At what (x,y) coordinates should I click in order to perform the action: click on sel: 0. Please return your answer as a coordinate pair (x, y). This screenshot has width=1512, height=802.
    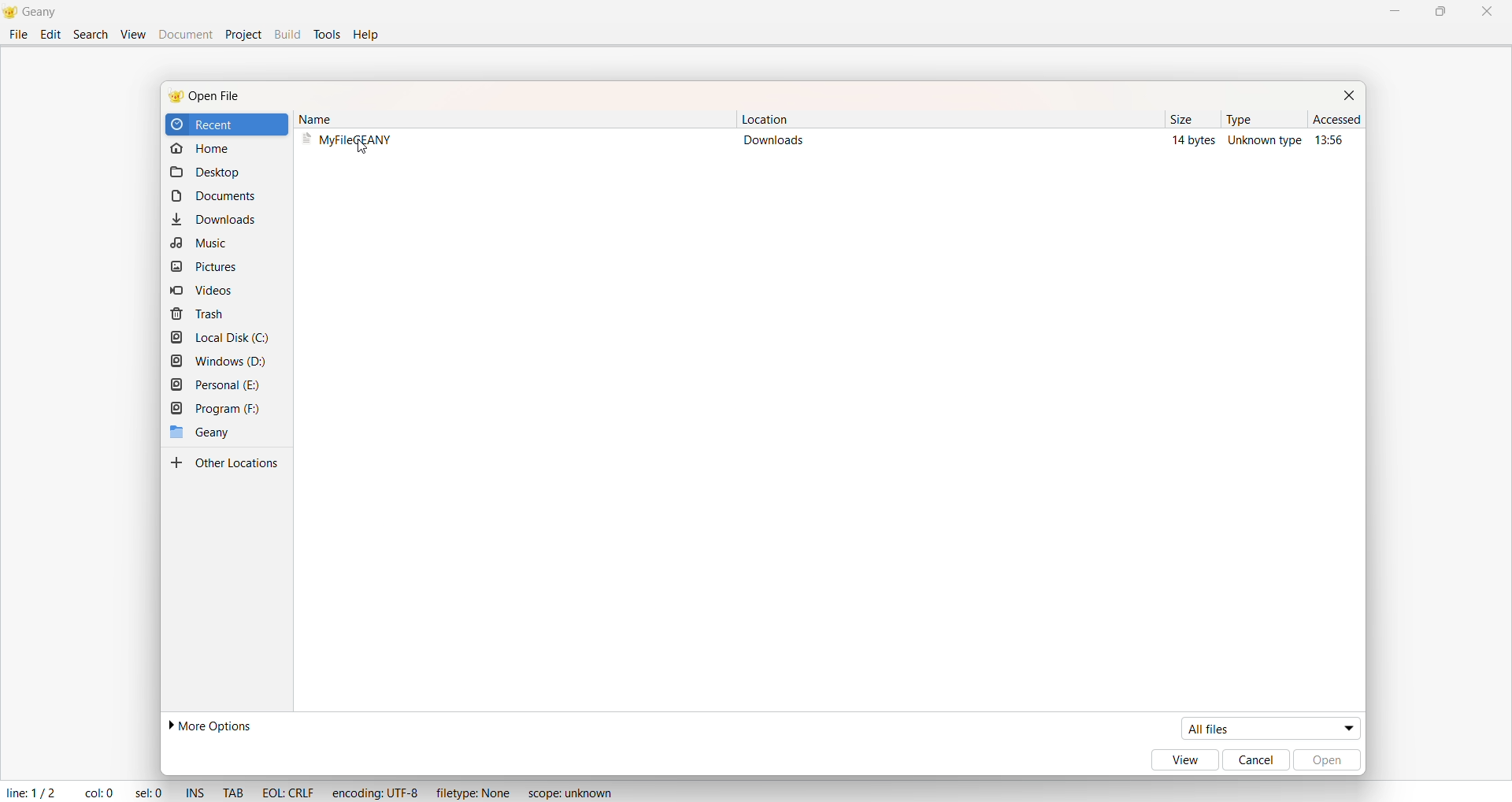
    Looking at the image, I should click on (148, 792).